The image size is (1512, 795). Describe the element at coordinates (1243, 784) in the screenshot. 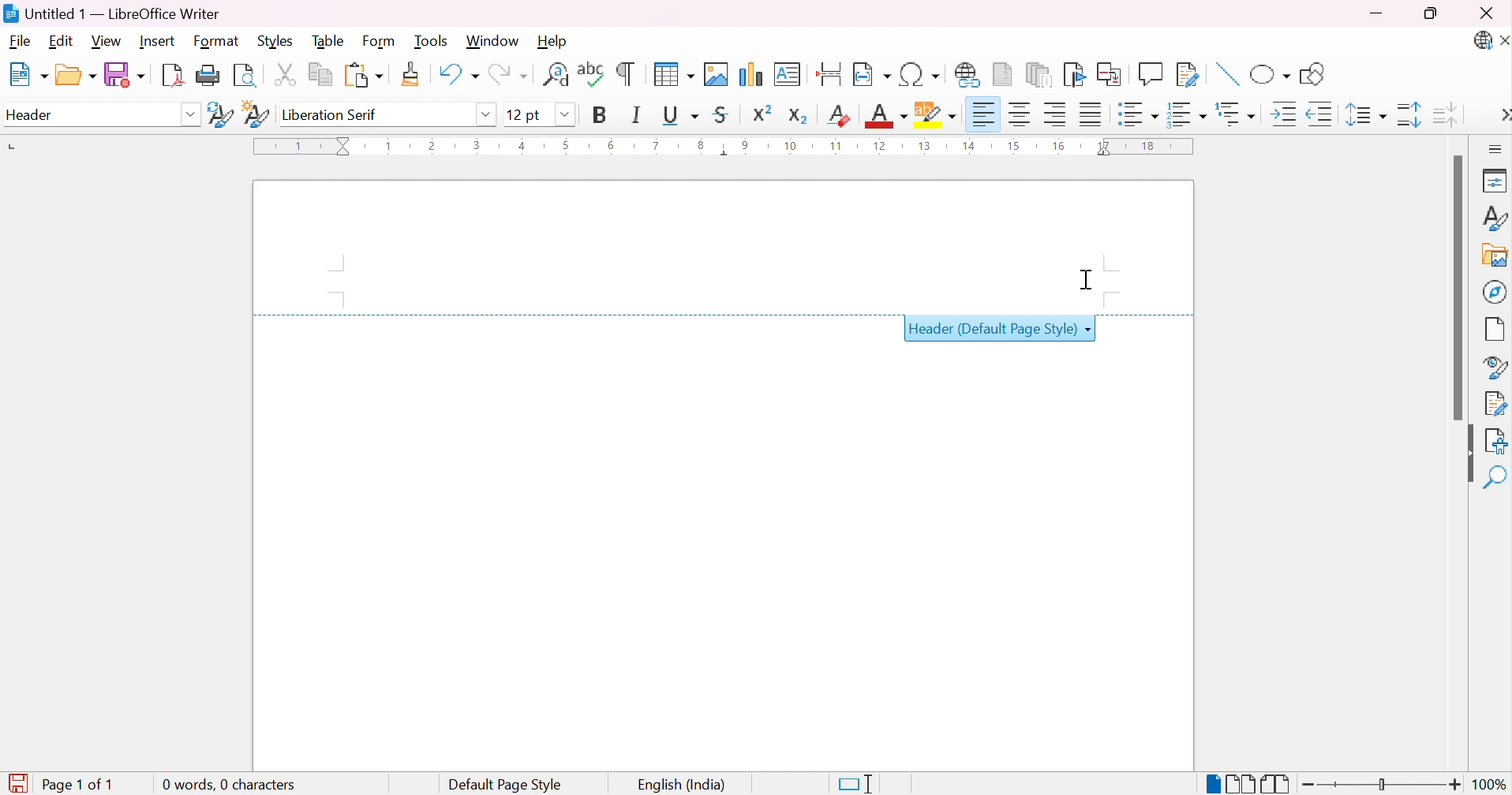

I see `Multiple-page view` at that location.